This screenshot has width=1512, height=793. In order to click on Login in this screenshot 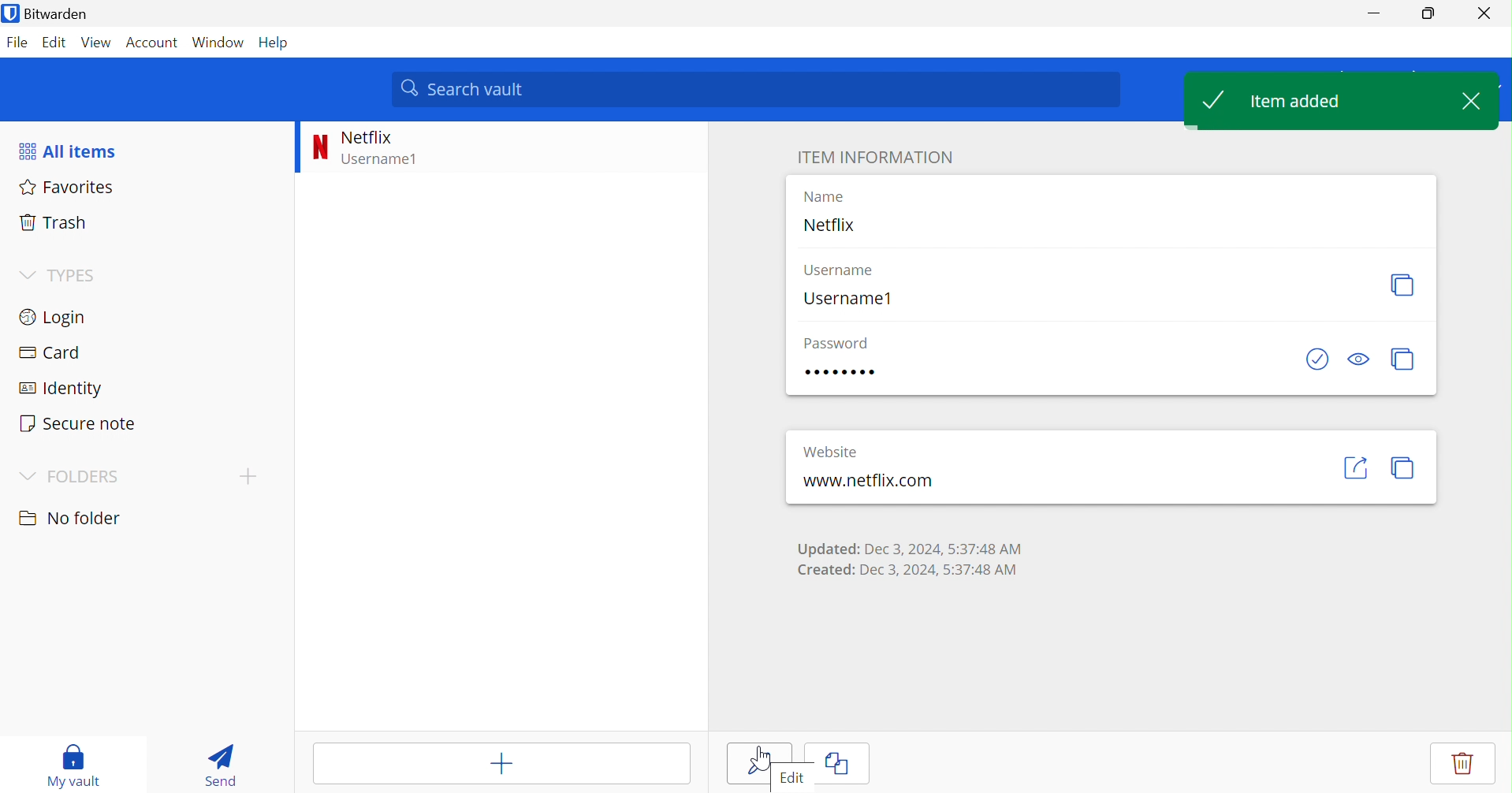, I will do `click(56, 316)`.